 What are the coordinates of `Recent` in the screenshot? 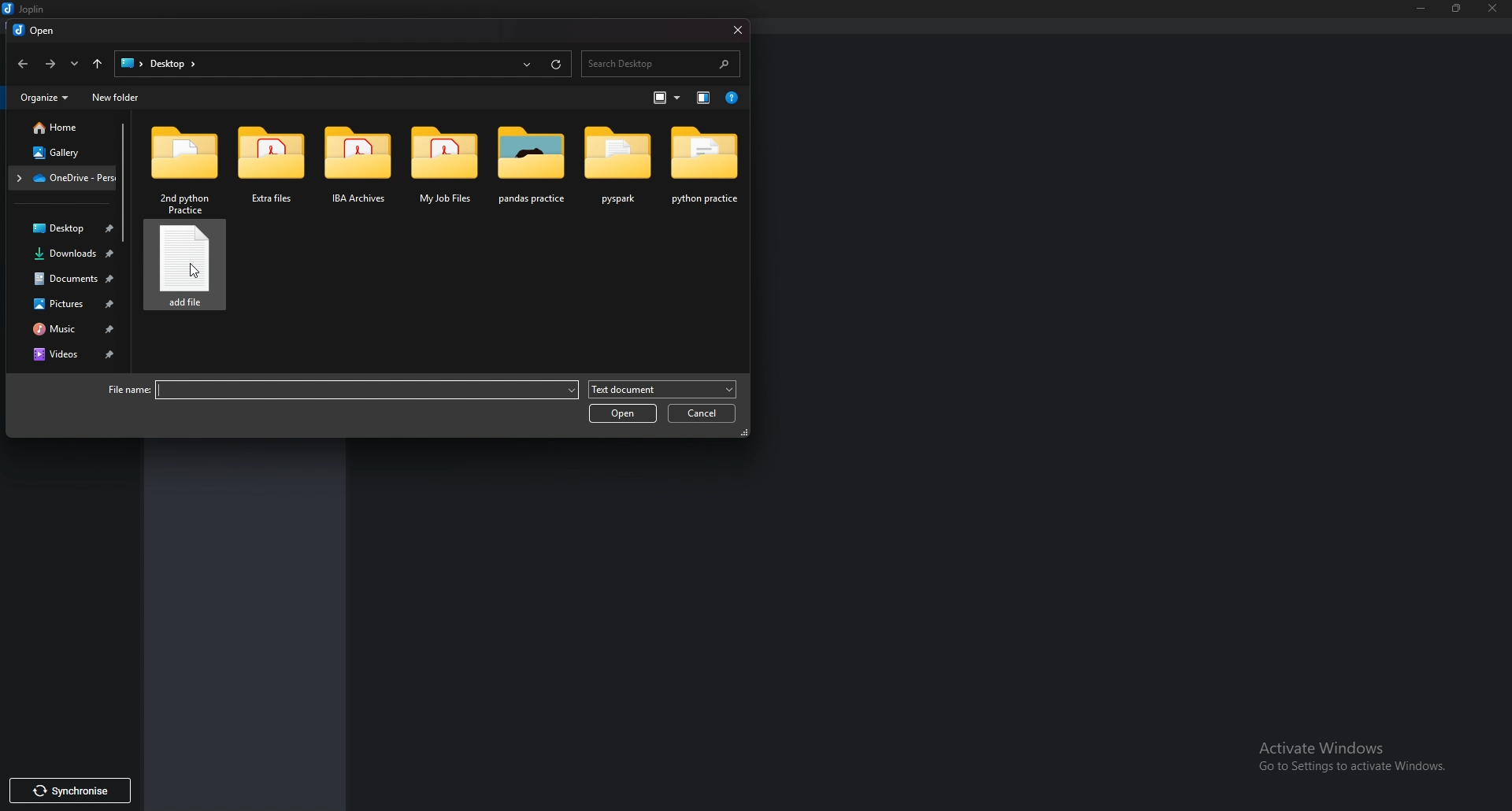 It's located at (529, 63).